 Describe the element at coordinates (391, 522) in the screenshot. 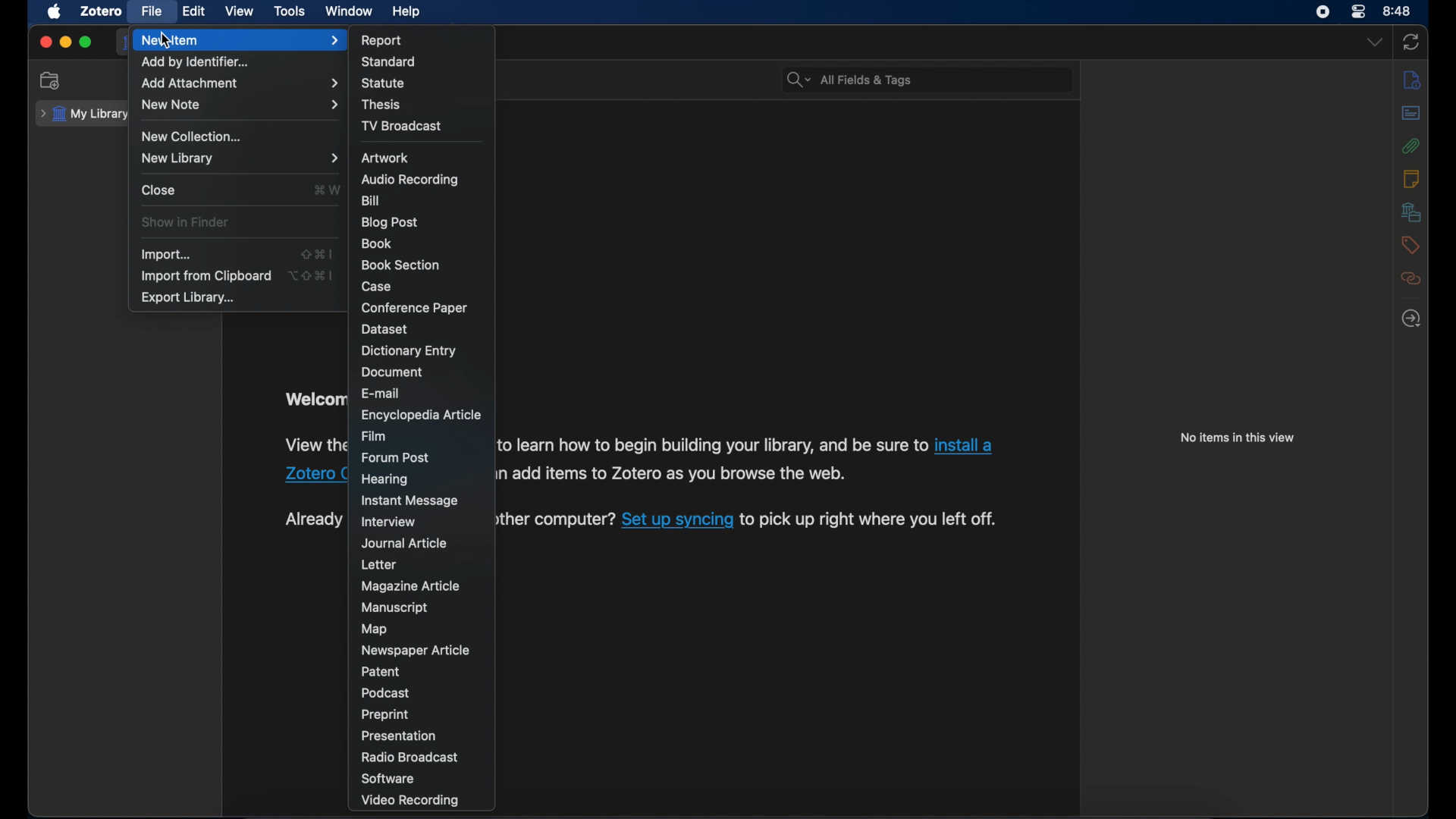

I see `interview` at that location.